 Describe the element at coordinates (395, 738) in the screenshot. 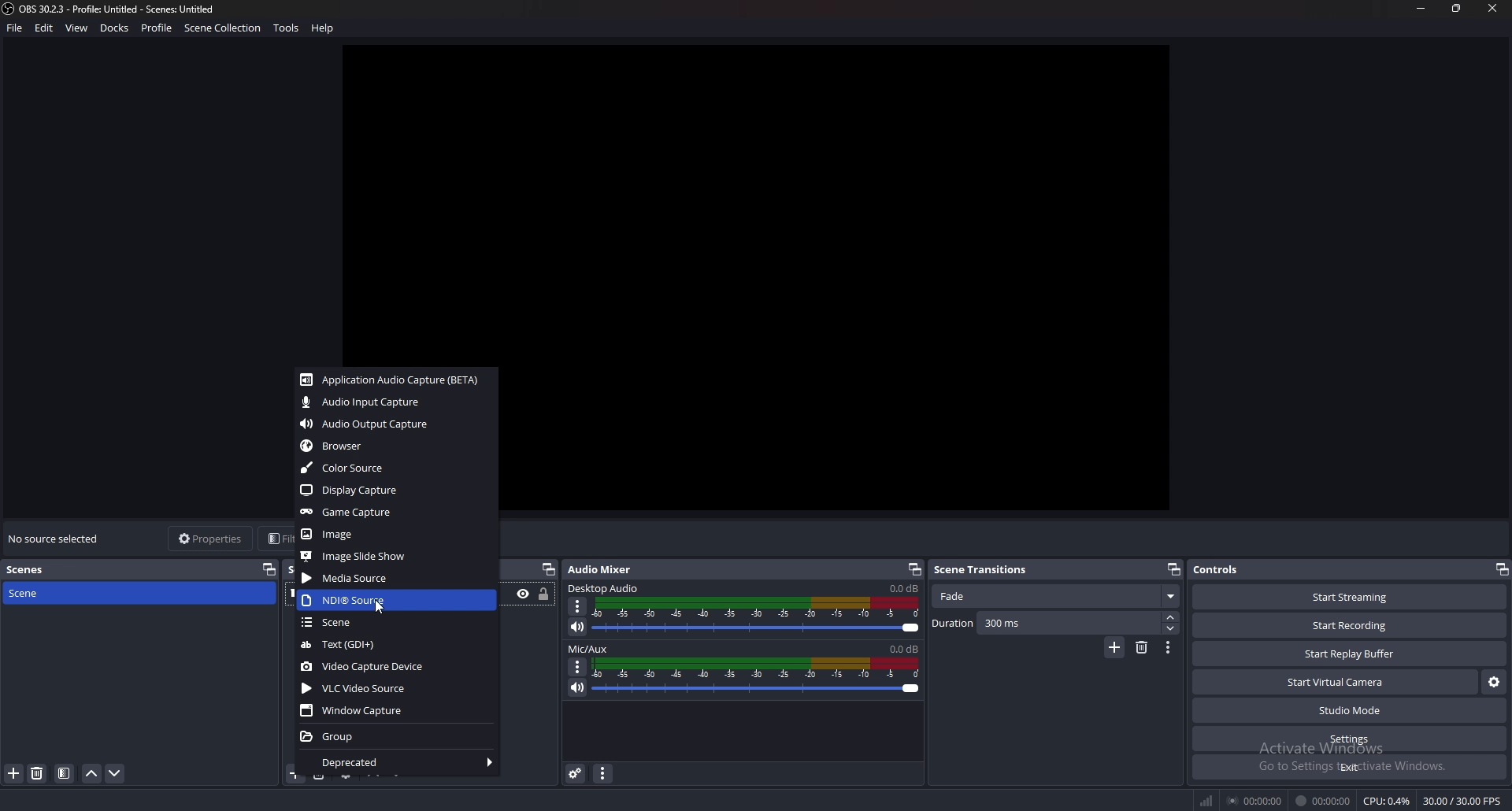

I see `group` at that location.